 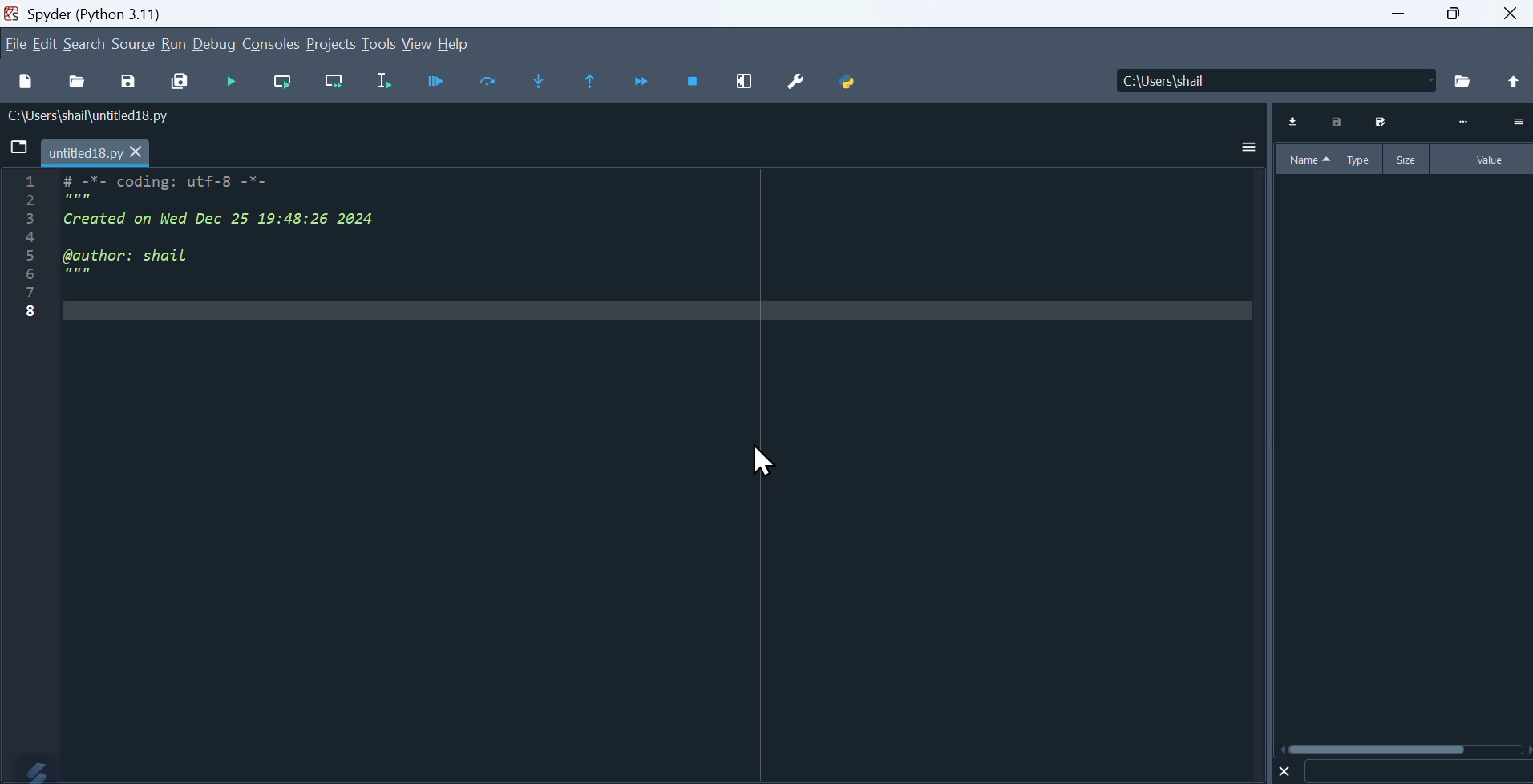 What do you see at coordinates (15, 43) in the screenshot?
I see `File` at bounding box center [15, 43].